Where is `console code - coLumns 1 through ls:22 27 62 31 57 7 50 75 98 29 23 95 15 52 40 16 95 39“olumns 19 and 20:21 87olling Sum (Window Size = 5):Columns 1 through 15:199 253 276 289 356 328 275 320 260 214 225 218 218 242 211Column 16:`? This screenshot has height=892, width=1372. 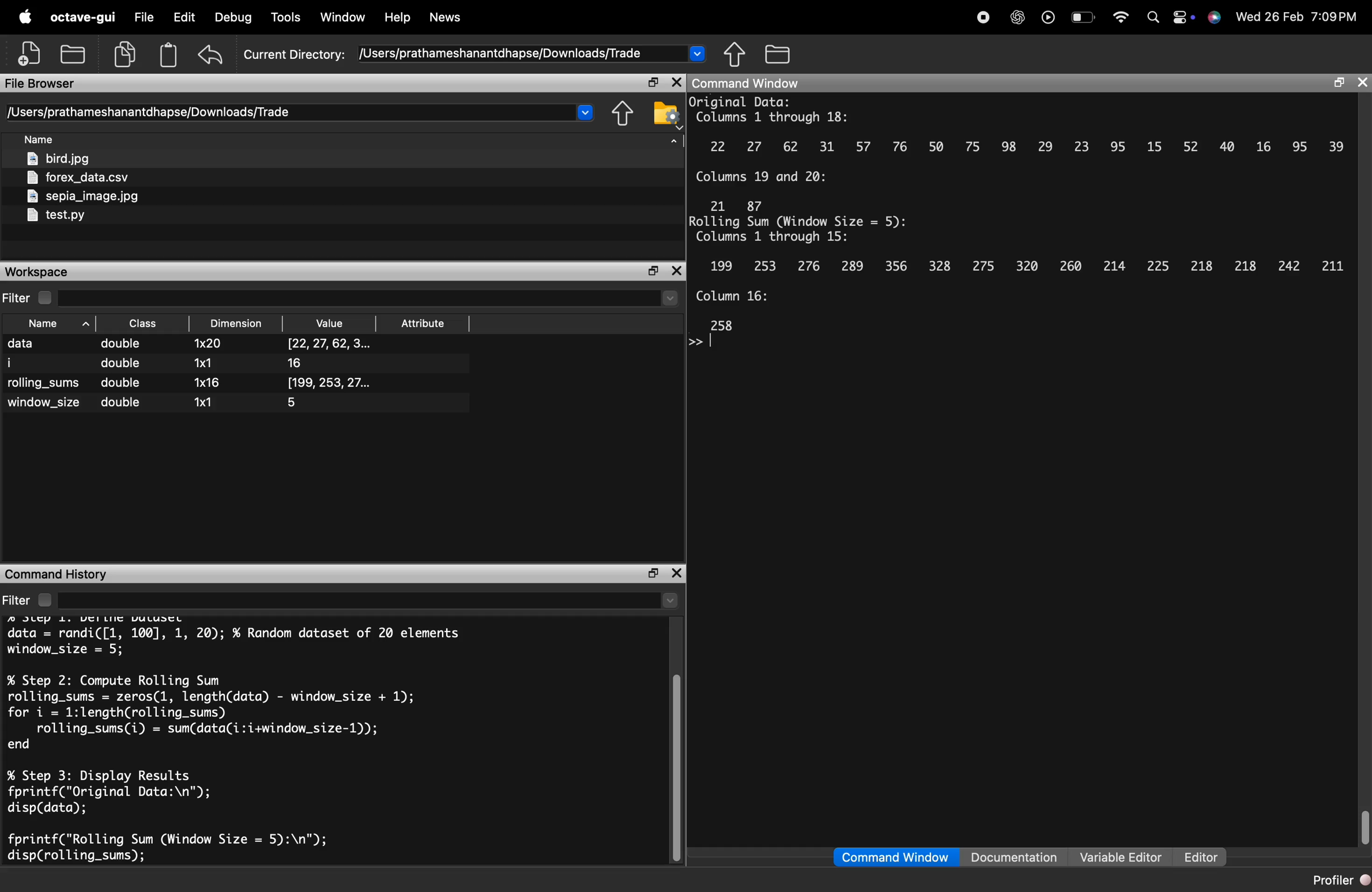
console code - coLumns 1 through ls:22 27 62 31 57 7 50 75 98 29 23 95 15 52 40 16 95 39“olumns 19 and 20:21 87olling Sum (Window Size = 5):Columns 1 through 15:199 253 276 289 356 328 275 320 260 214 225 218 218 242 211Column 16: is located at coordinates (1019, 224).